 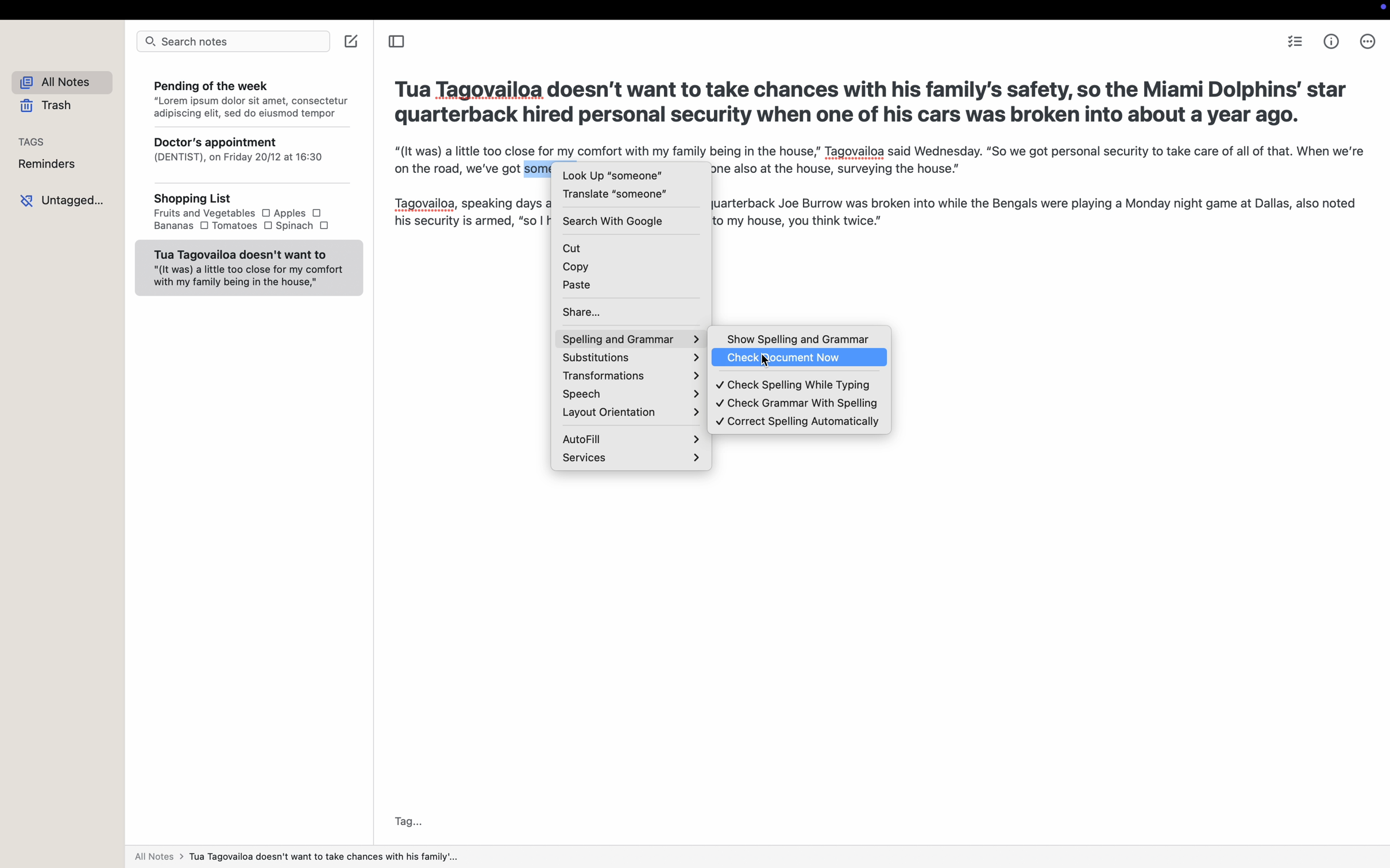 What do you see at coordinates (800, 339) in the screenshot?
I see `show spelling and grammar` at bounding box center [800, 339].